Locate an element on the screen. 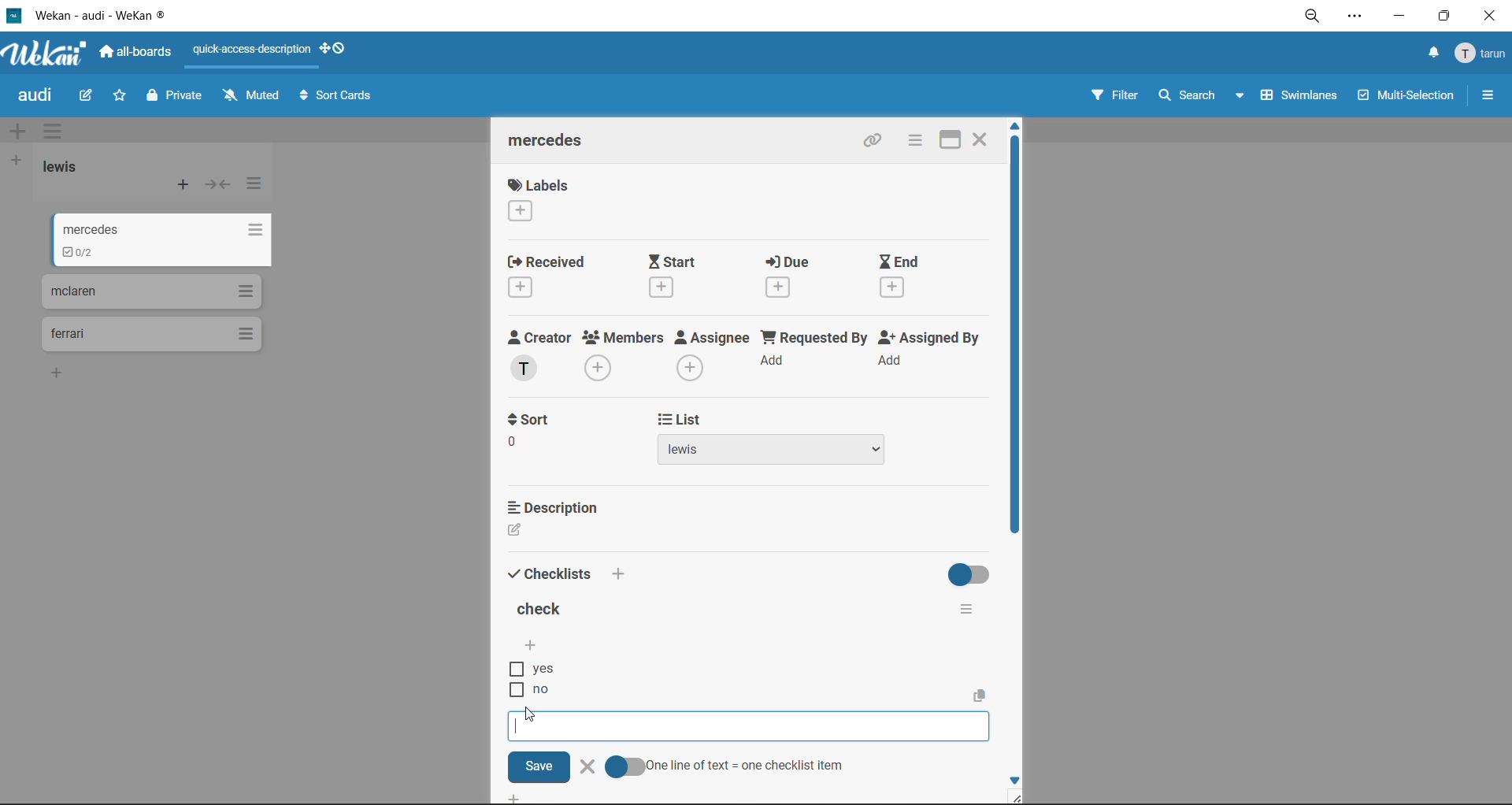  add card is located at coordinates (180, 187).